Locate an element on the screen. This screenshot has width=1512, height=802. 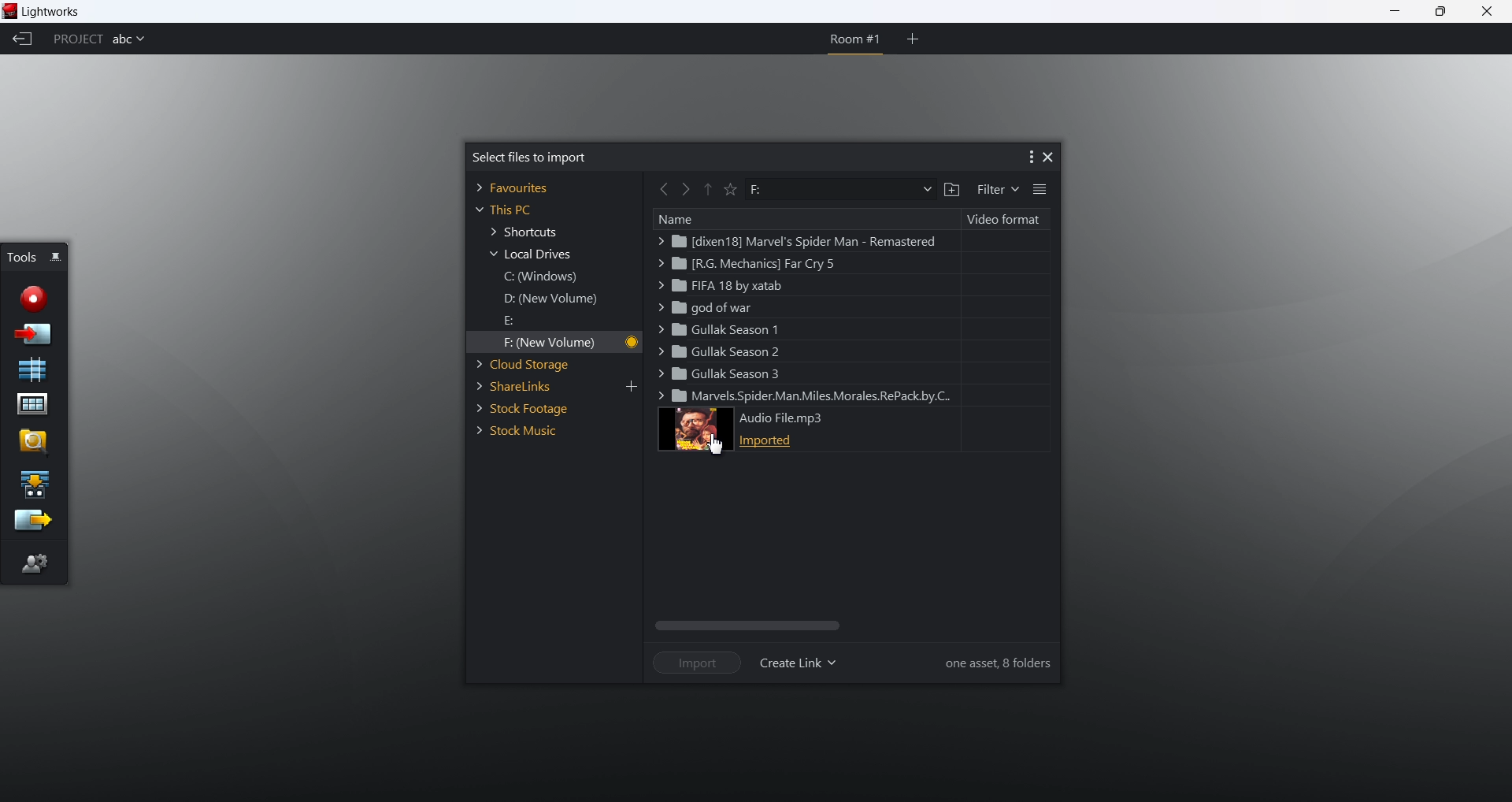
add link is located at coordinates (631, 387).